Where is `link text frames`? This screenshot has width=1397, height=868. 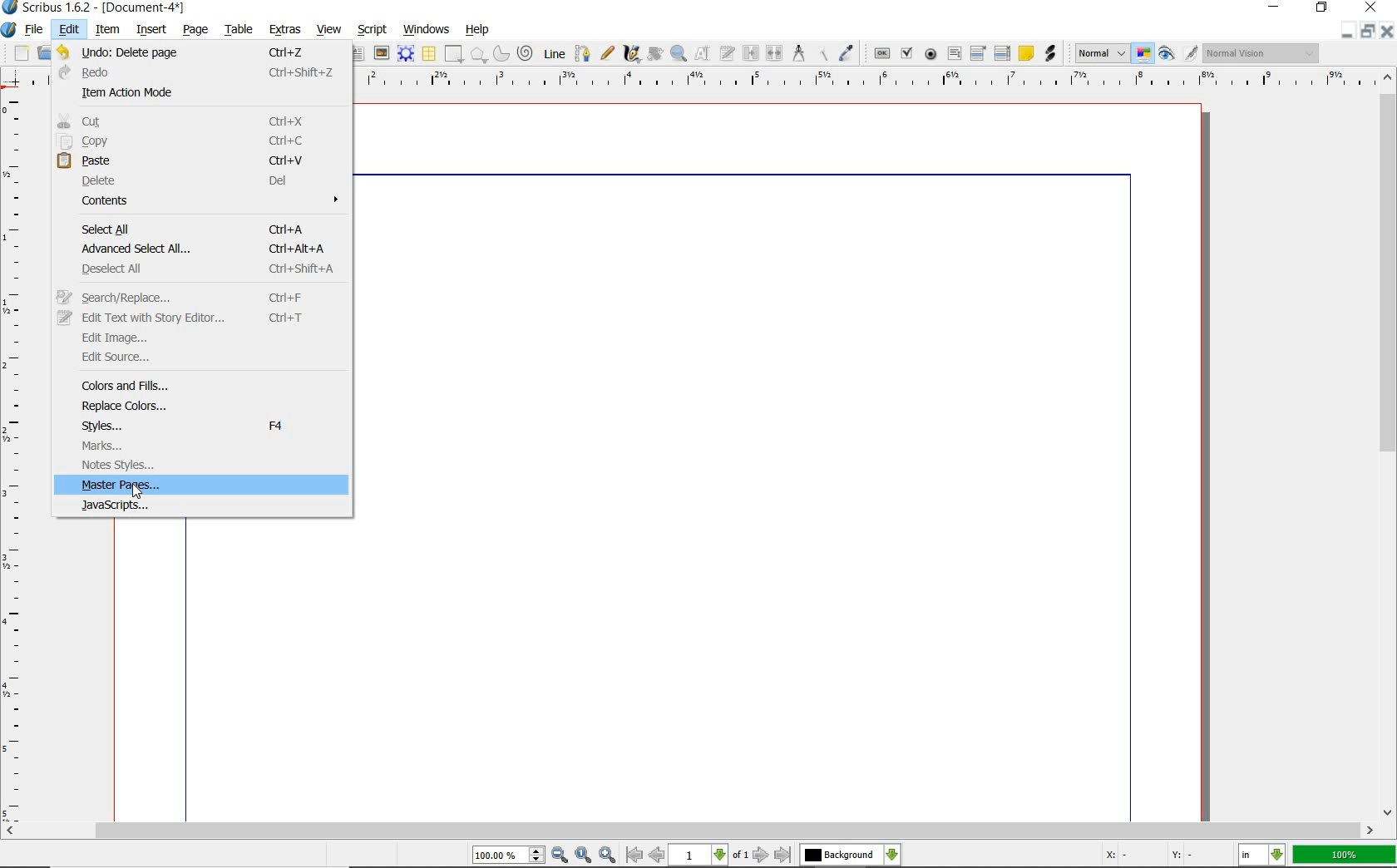 link text frames is located at coordinates (749, 52).